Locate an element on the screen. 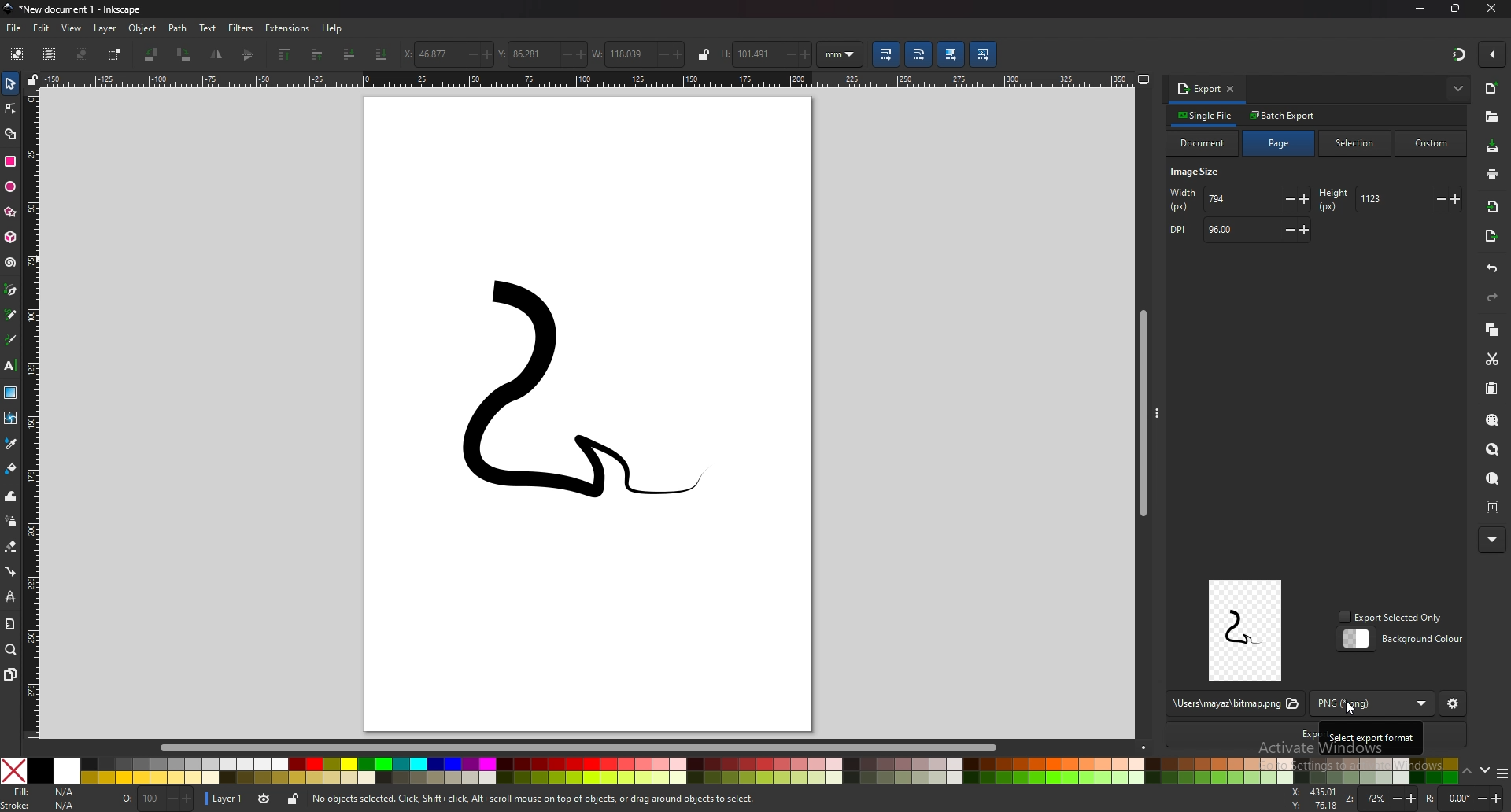  height is located at coordinates (767, 54).